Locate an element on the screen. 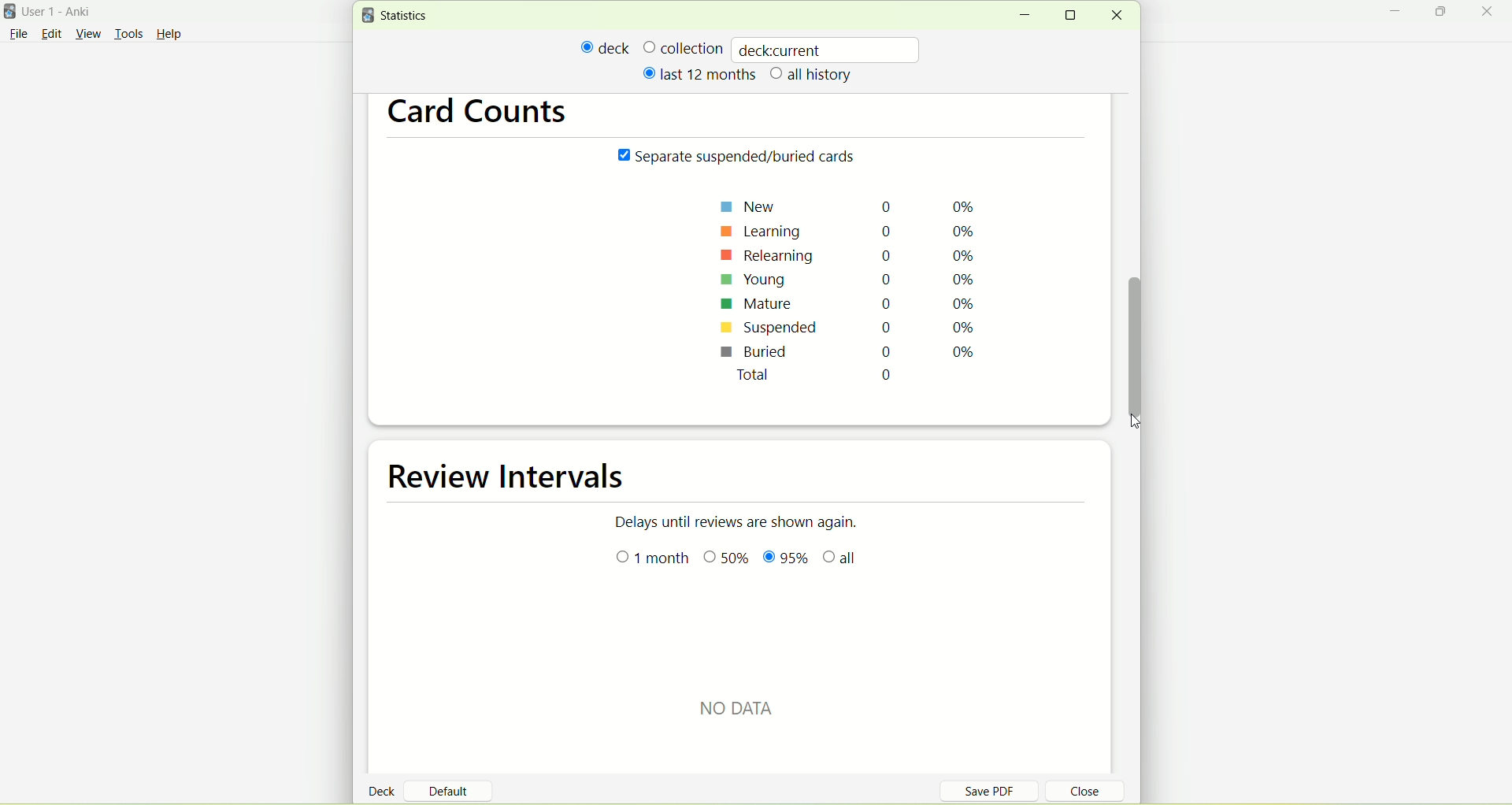 This screenshot has height=805, width=1512. collection is located at coordinates (683, 47).